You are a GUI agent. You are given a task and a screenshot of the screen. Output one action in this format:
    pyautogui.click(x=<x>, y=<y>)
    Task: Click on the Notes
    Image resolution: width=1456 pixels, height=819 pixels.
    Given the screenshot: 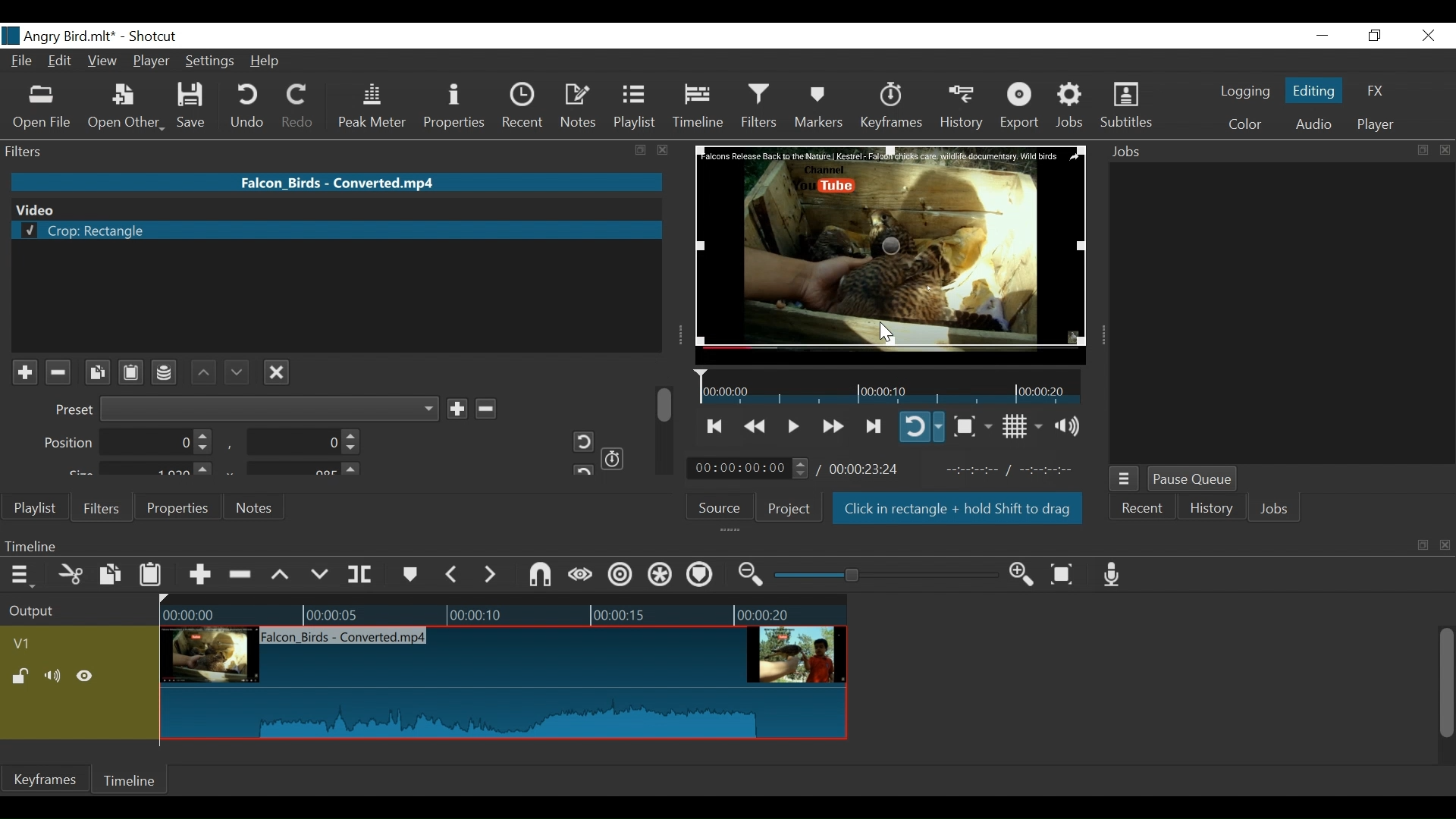 What is the action you would take?
    pyautogui.click(x=256, y=507)
    